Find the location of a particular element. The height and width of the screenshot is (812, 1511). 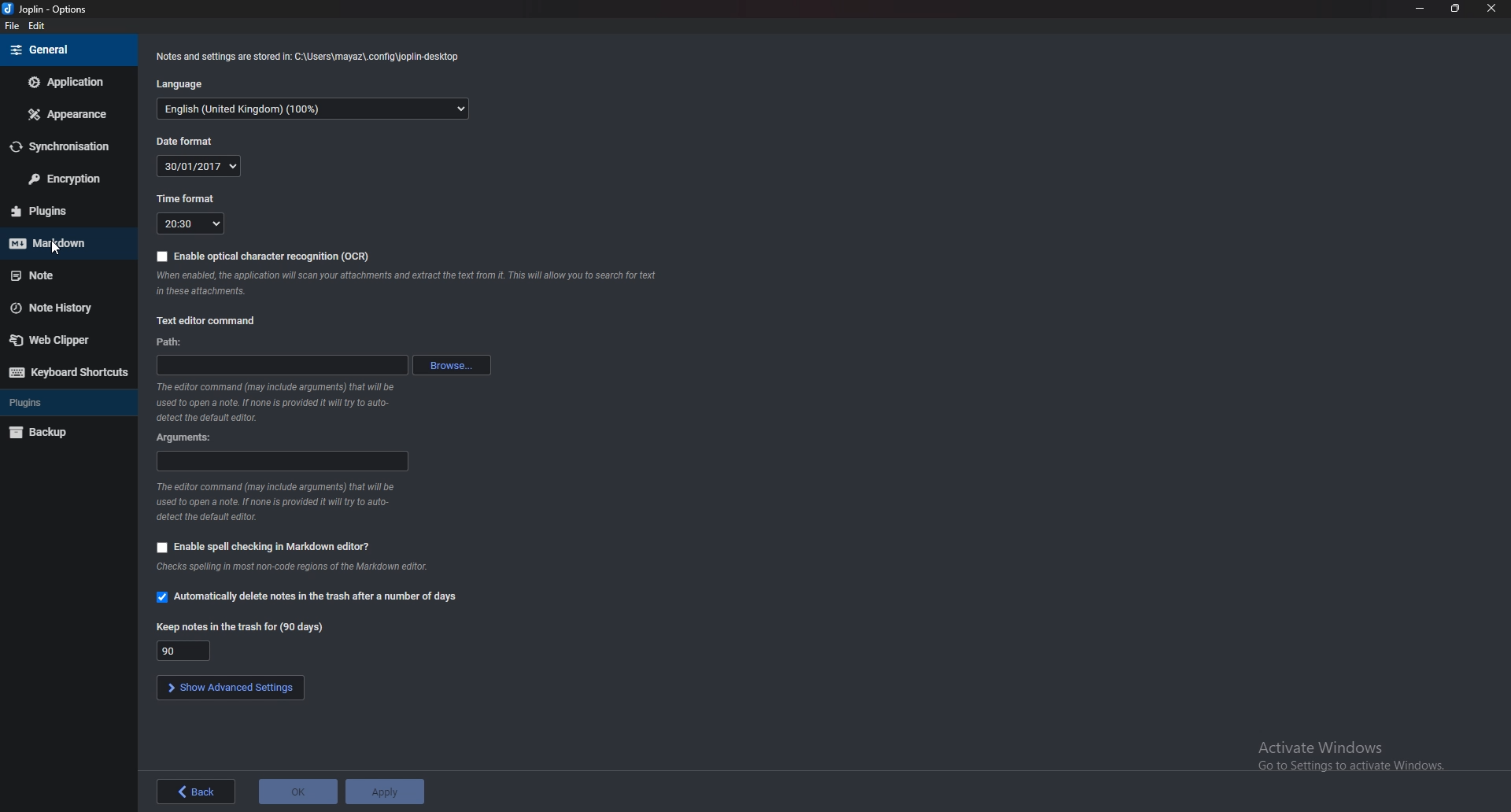

date format is located at coordinates (191, 141).